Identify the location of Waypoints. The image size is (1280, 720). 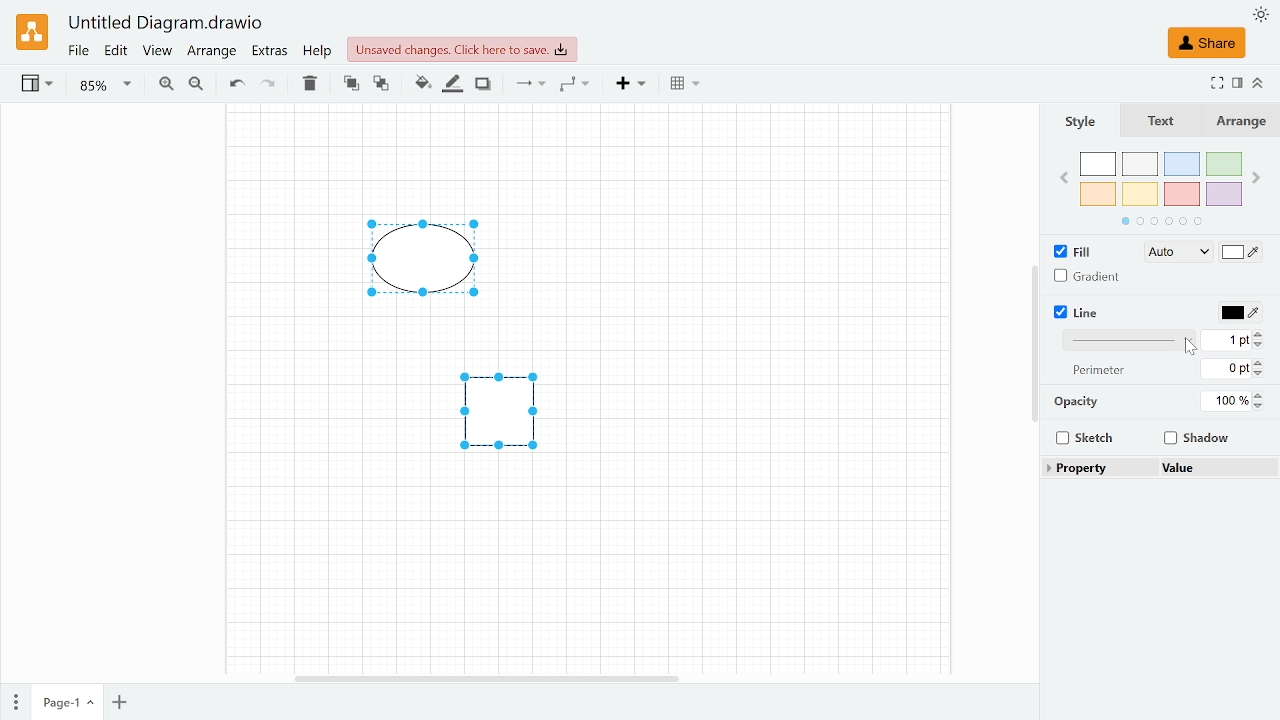
(574, 85).